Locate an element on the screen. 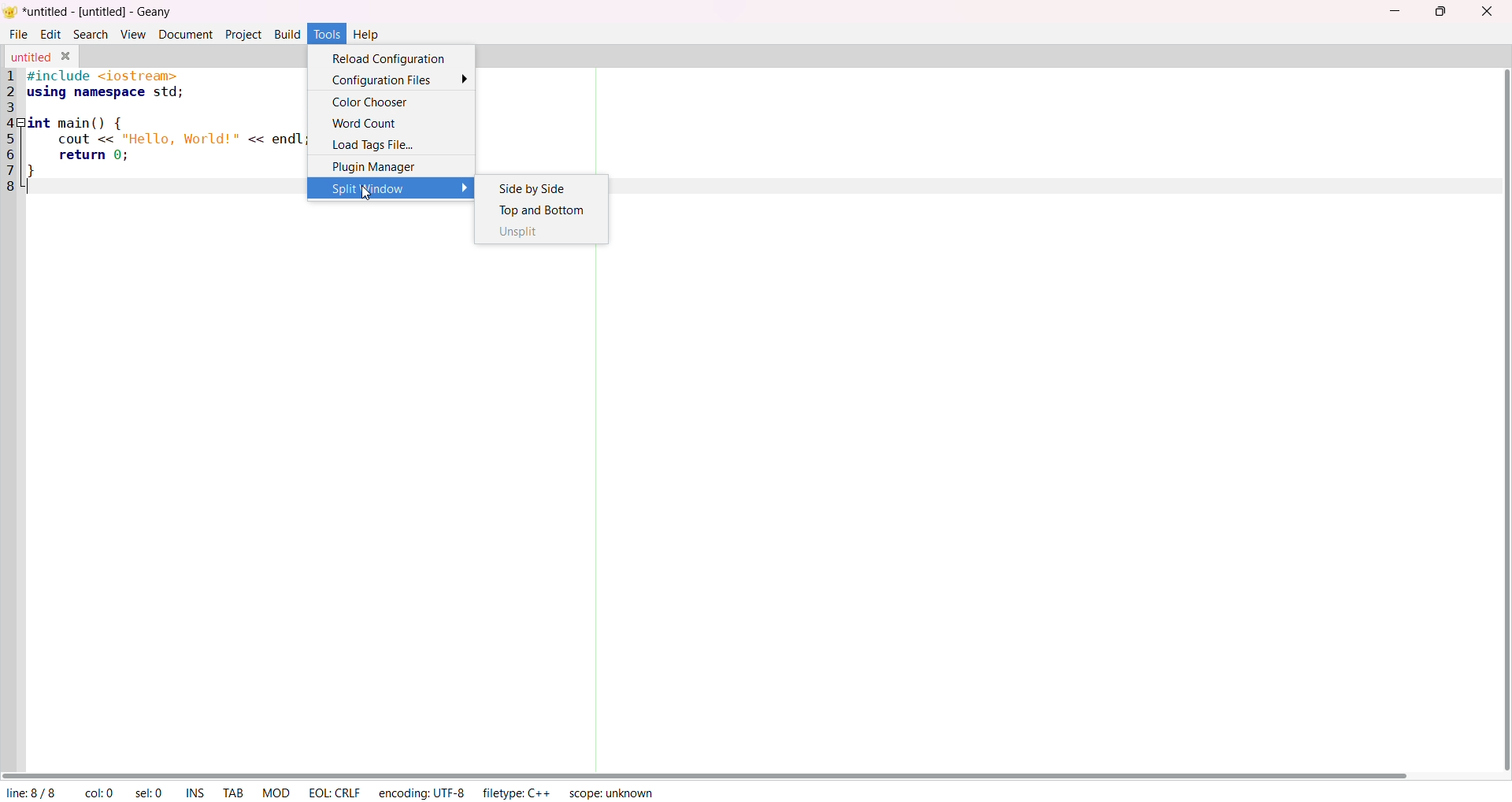 The height and width of the screenshot is (802, 1512). Search is located at coordinates (92, 35).